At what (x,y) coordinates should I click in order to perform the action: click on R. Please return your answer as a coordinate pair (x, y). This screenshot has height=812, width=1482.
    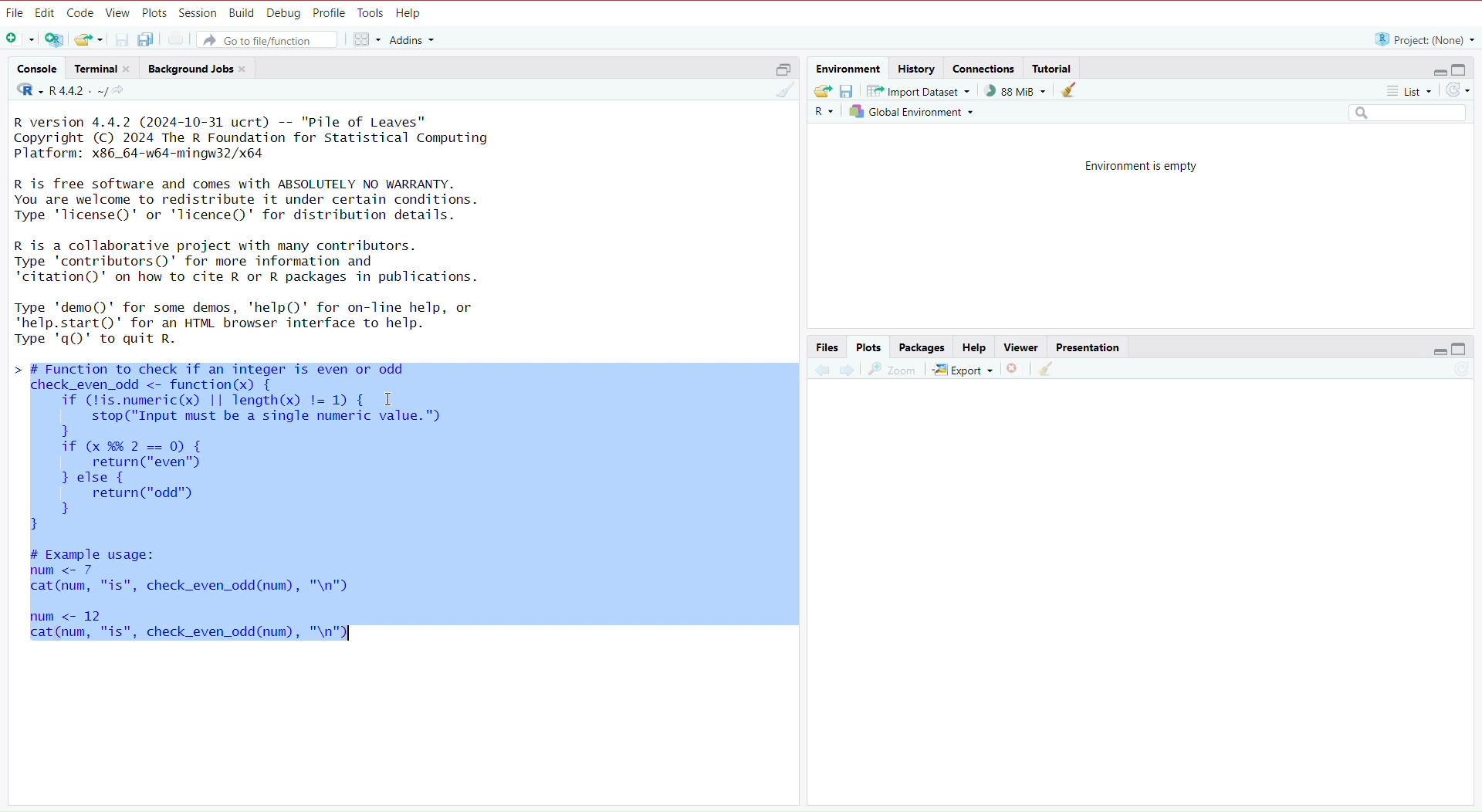
    Looking at the image, I should click on (822, 114).